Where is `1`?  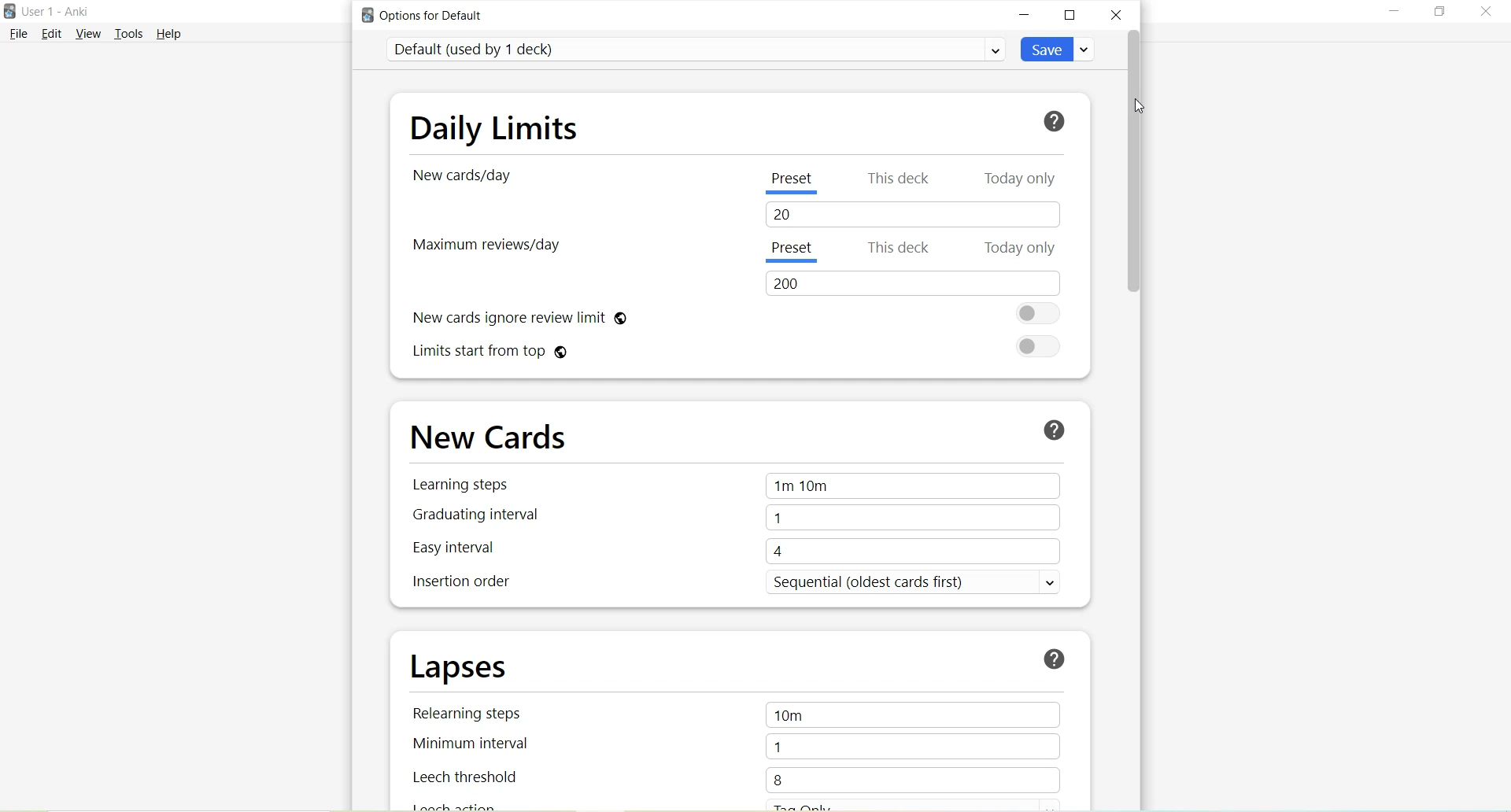
1 is located at coordinates (912, 745).